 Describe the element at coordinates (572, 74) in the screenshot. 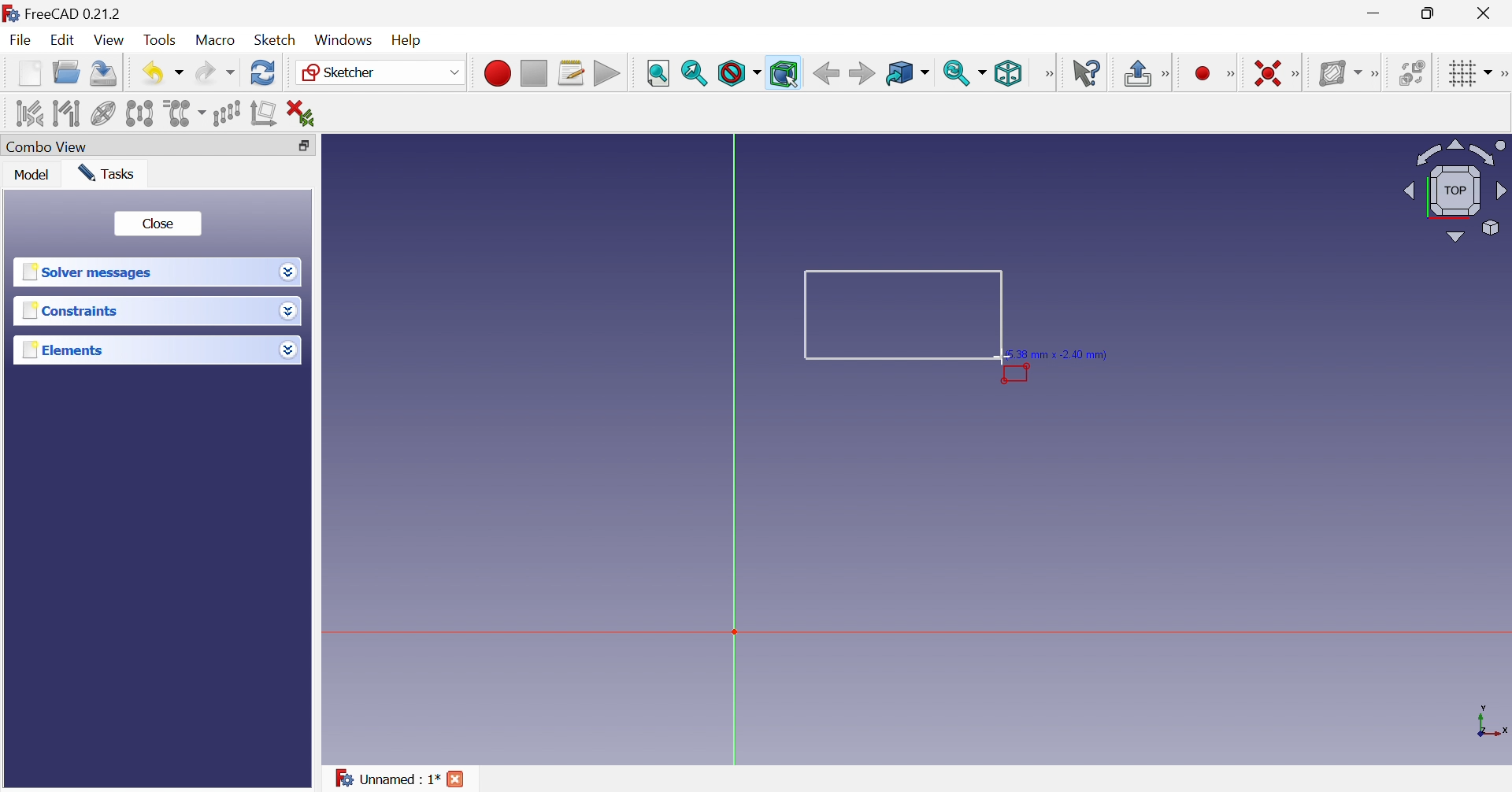

I see `Macros...` at that location.